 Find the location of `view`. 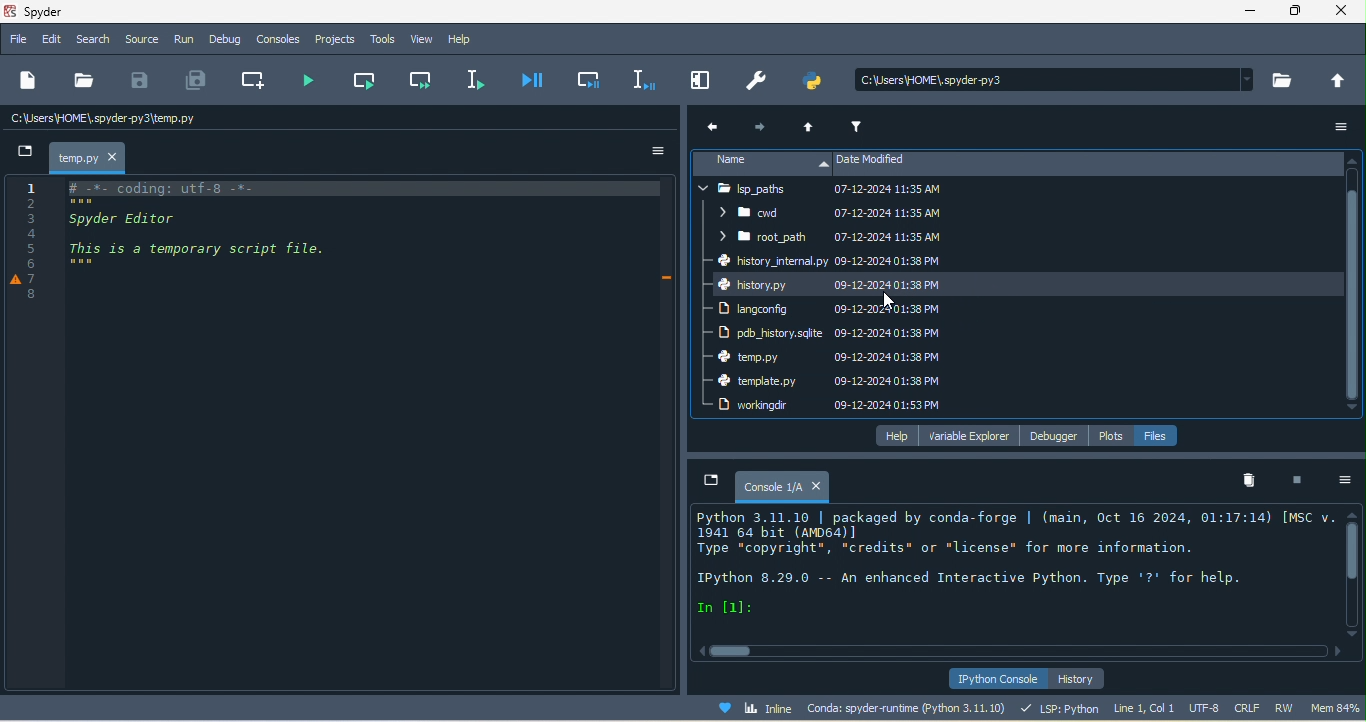

view is located at coordinates (426, 38).